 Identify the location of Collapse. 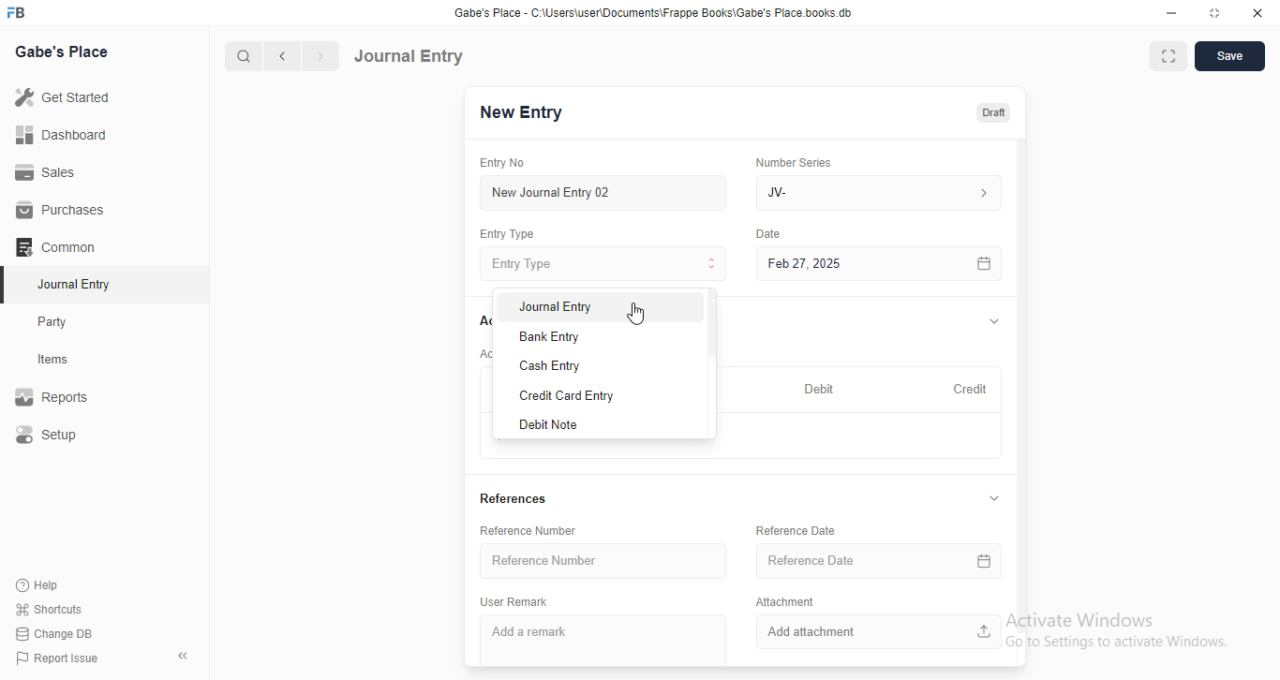
(184, 656).